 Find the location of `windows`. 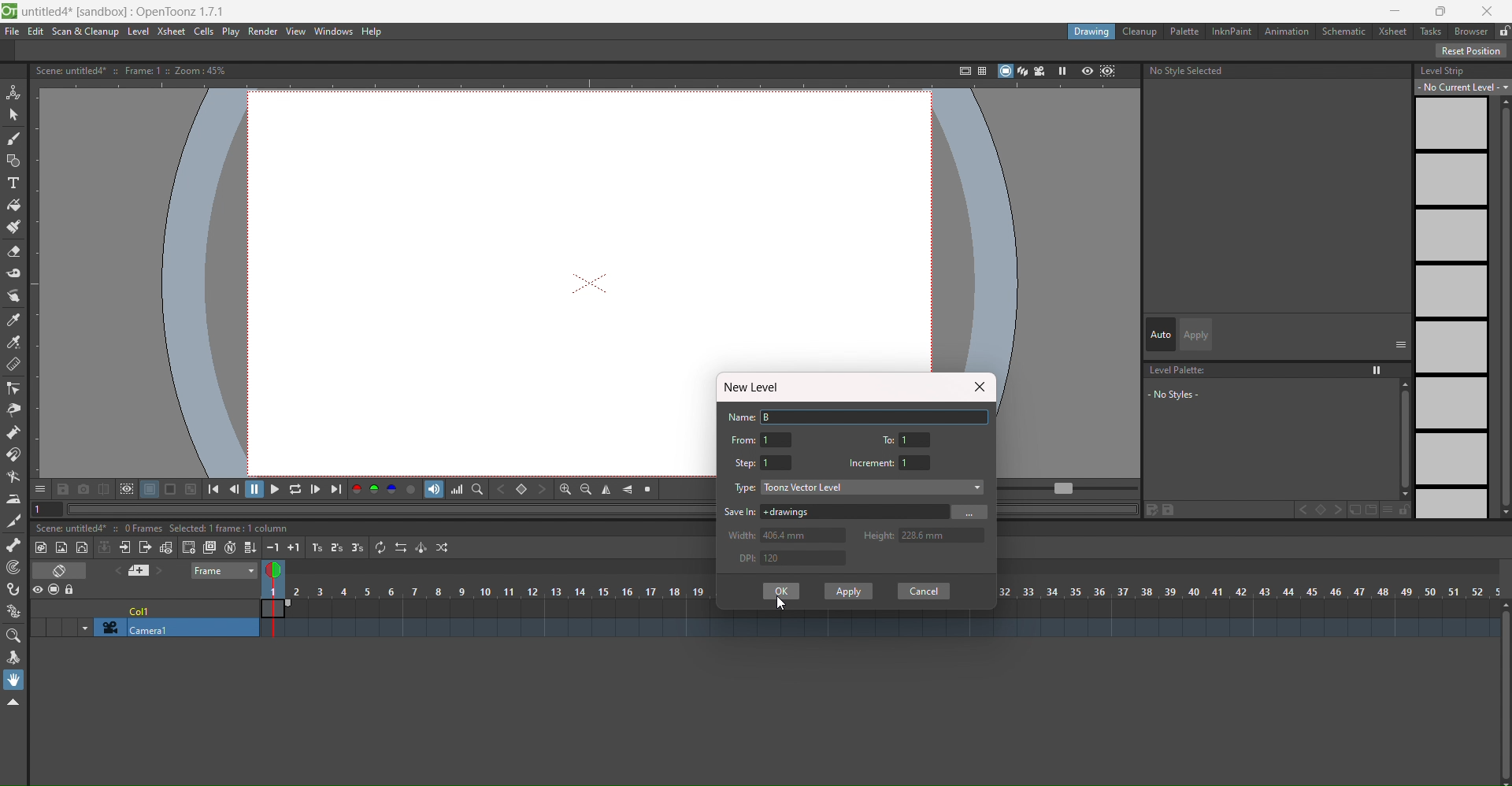

windows is located at coordinates (335, 32).